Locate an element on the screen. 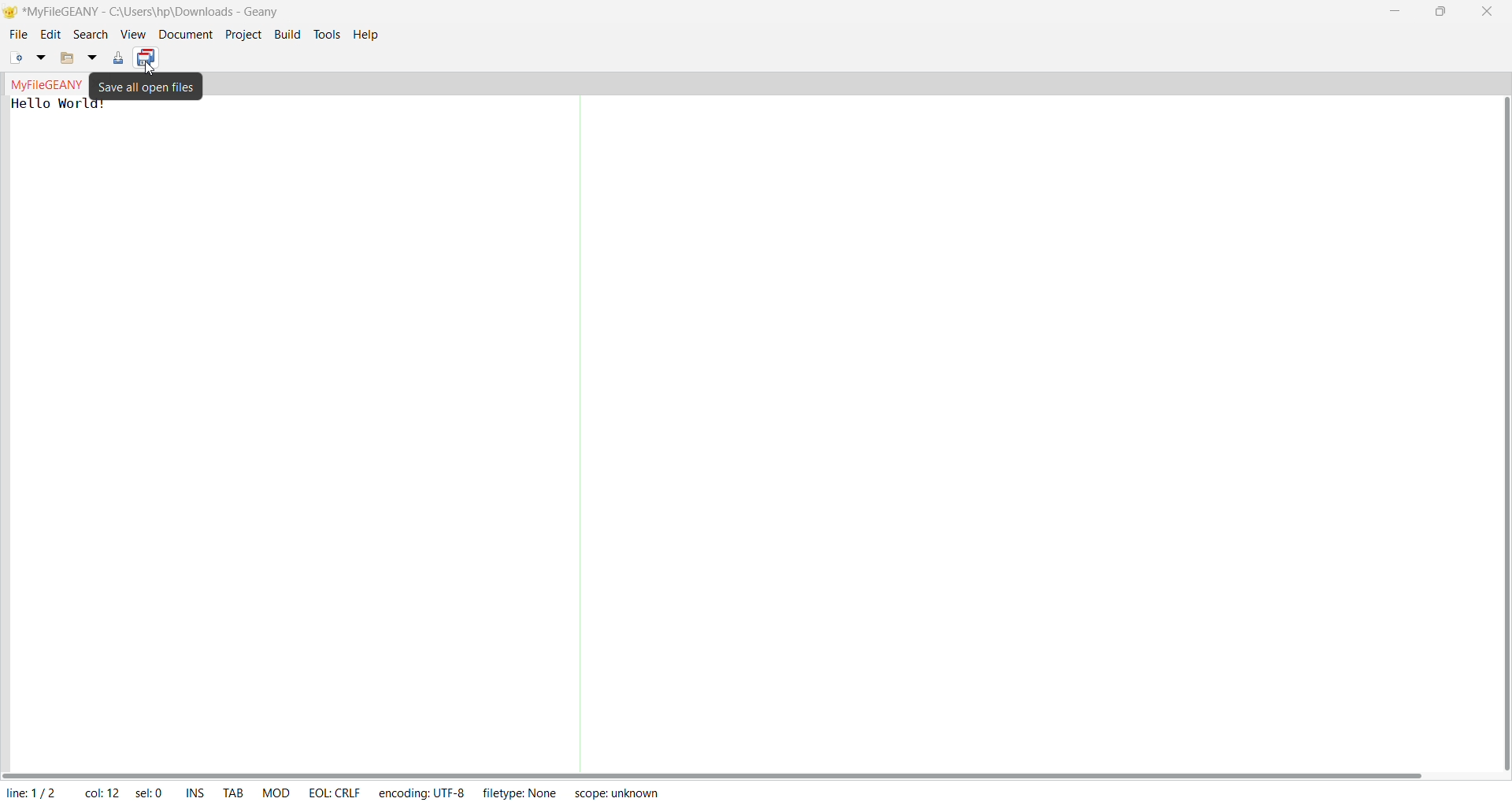 The width and height of the screenshot is (1512, 802). New File Drop Down is located at coordinates (39, 58).